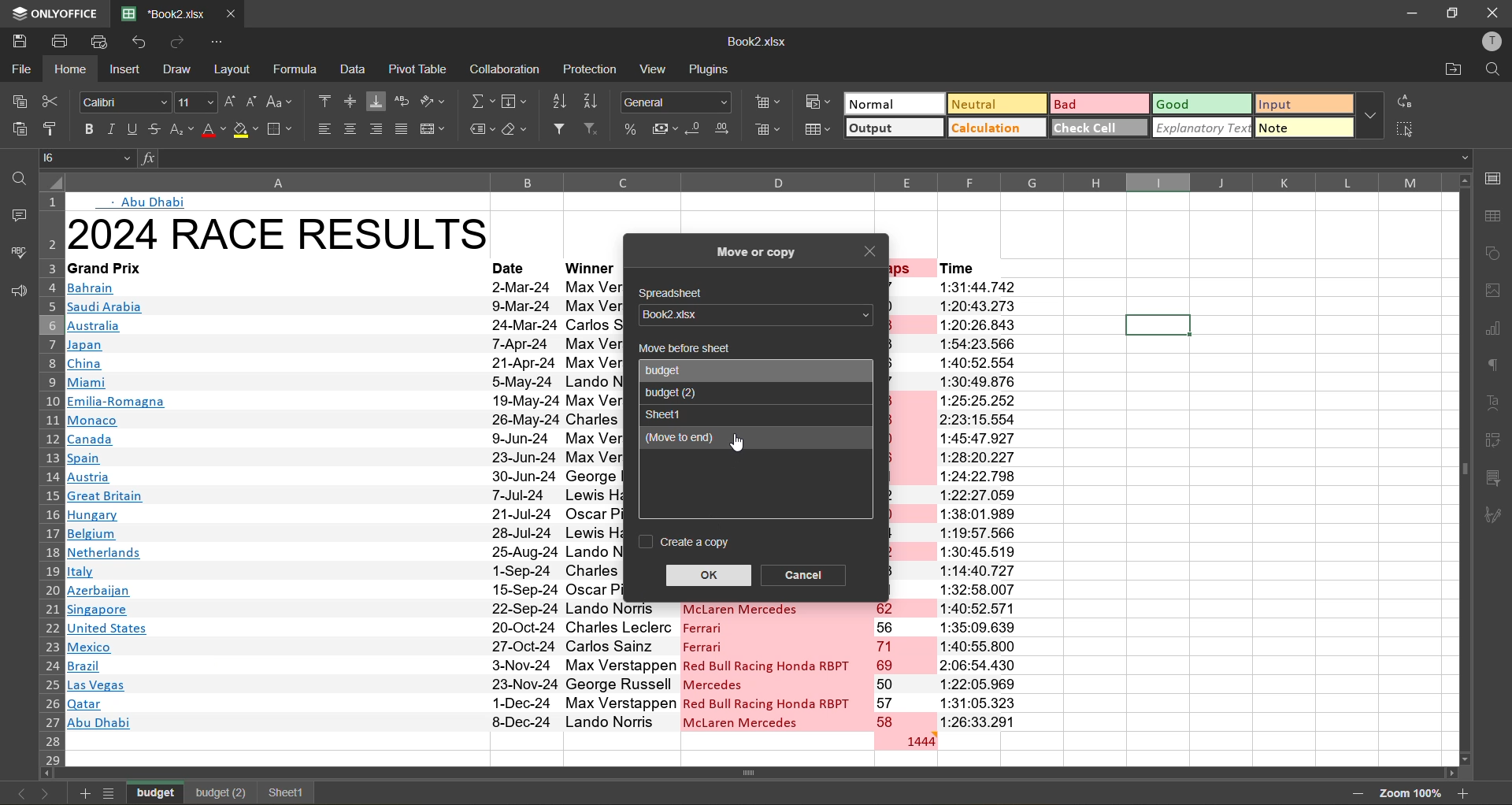  What do you see at coordinates (132, 132) in the screenshot?
I see `underline` at bounding box center [132, 132].